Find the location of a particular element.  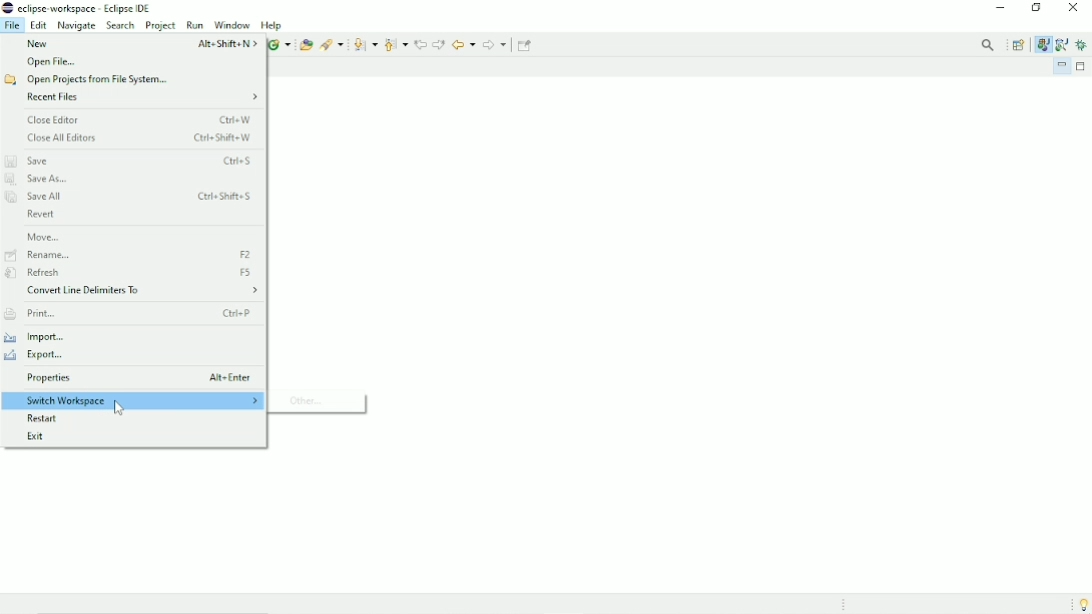

Revert is located at coordinates (41, 215).